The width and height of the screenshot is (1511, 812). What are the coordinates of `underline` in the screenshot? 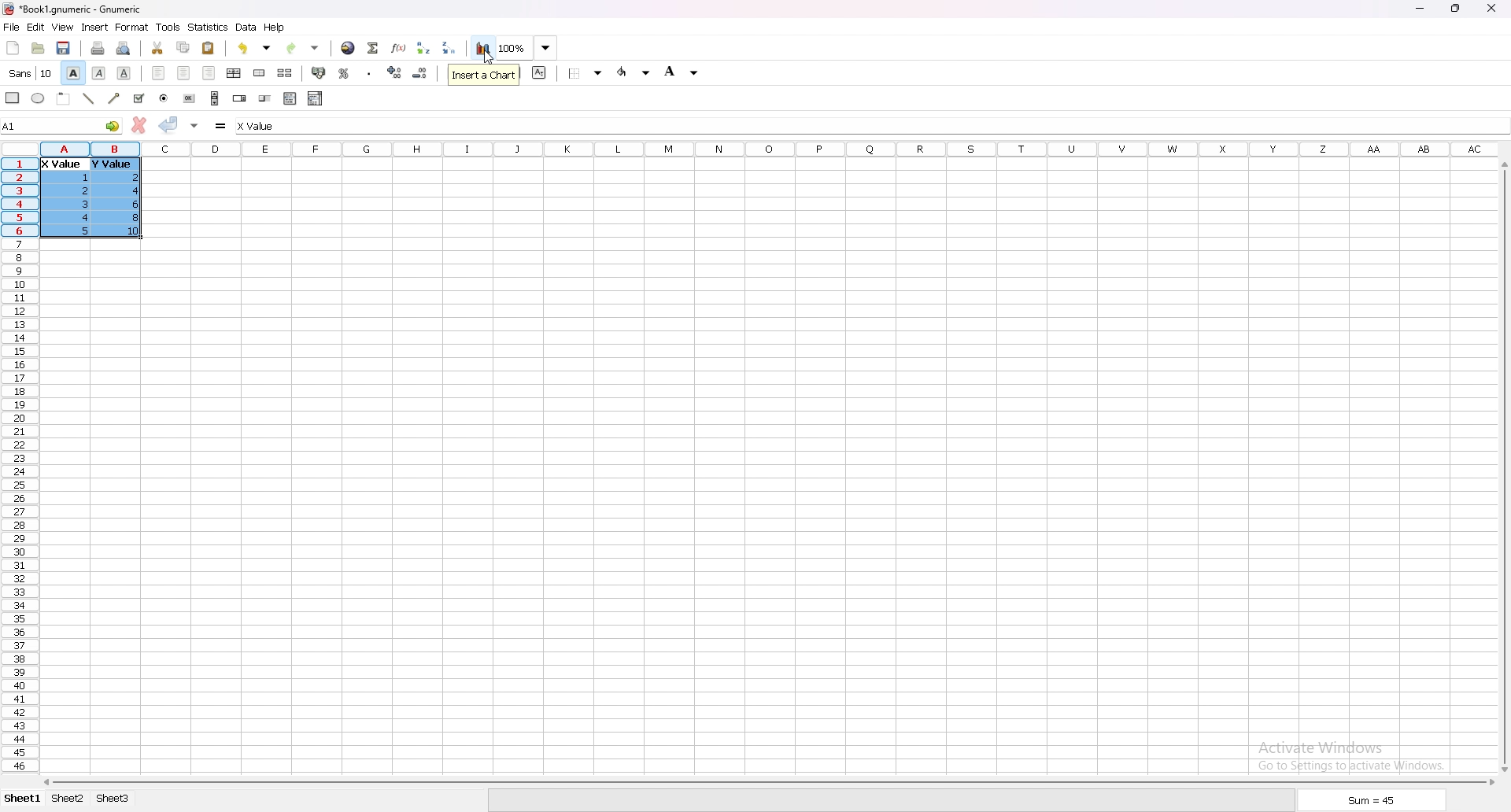 It's located at (124, 73).